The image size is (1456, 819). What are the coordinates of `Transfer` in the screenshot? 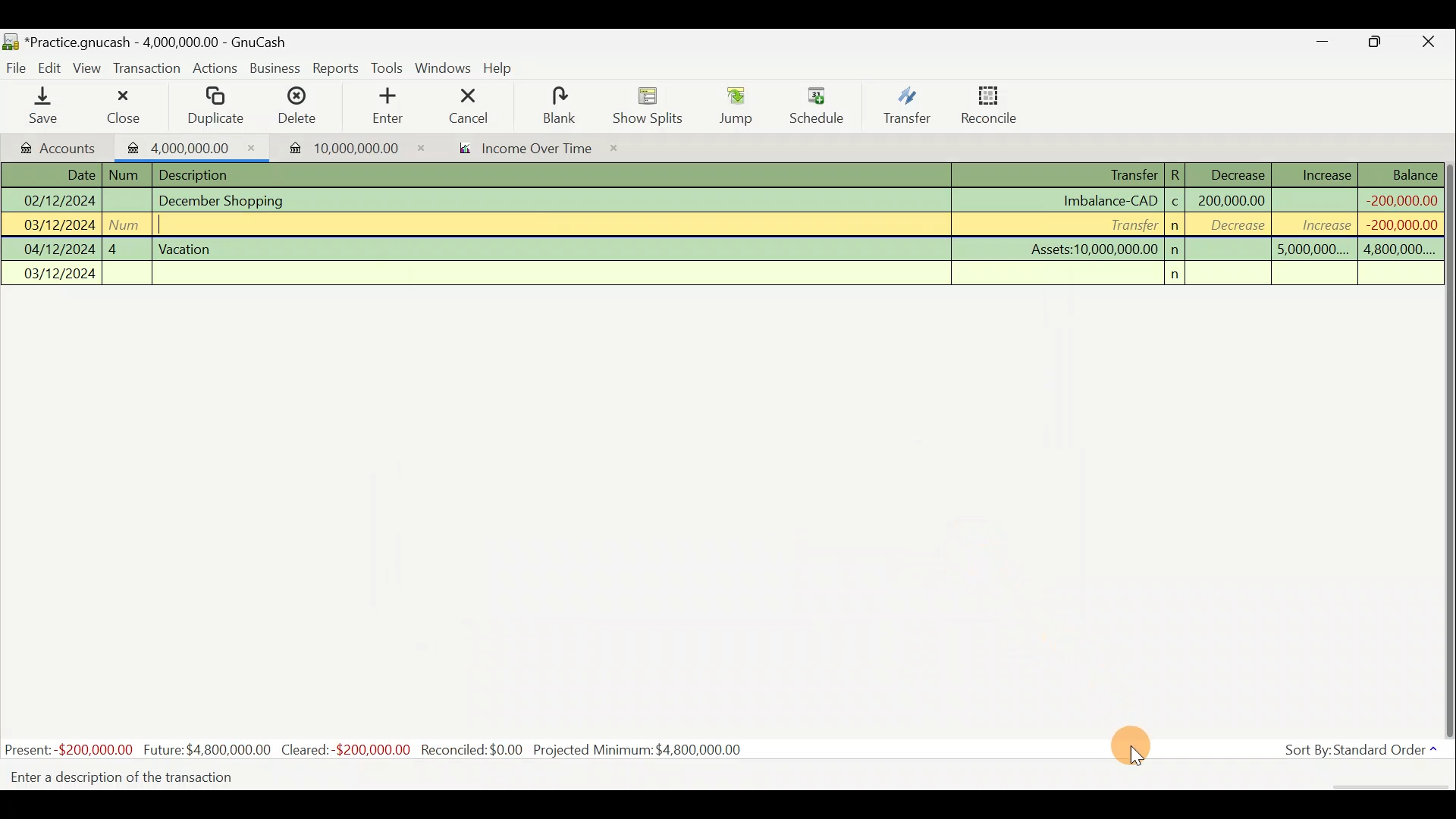 It's located at (1119, 176).